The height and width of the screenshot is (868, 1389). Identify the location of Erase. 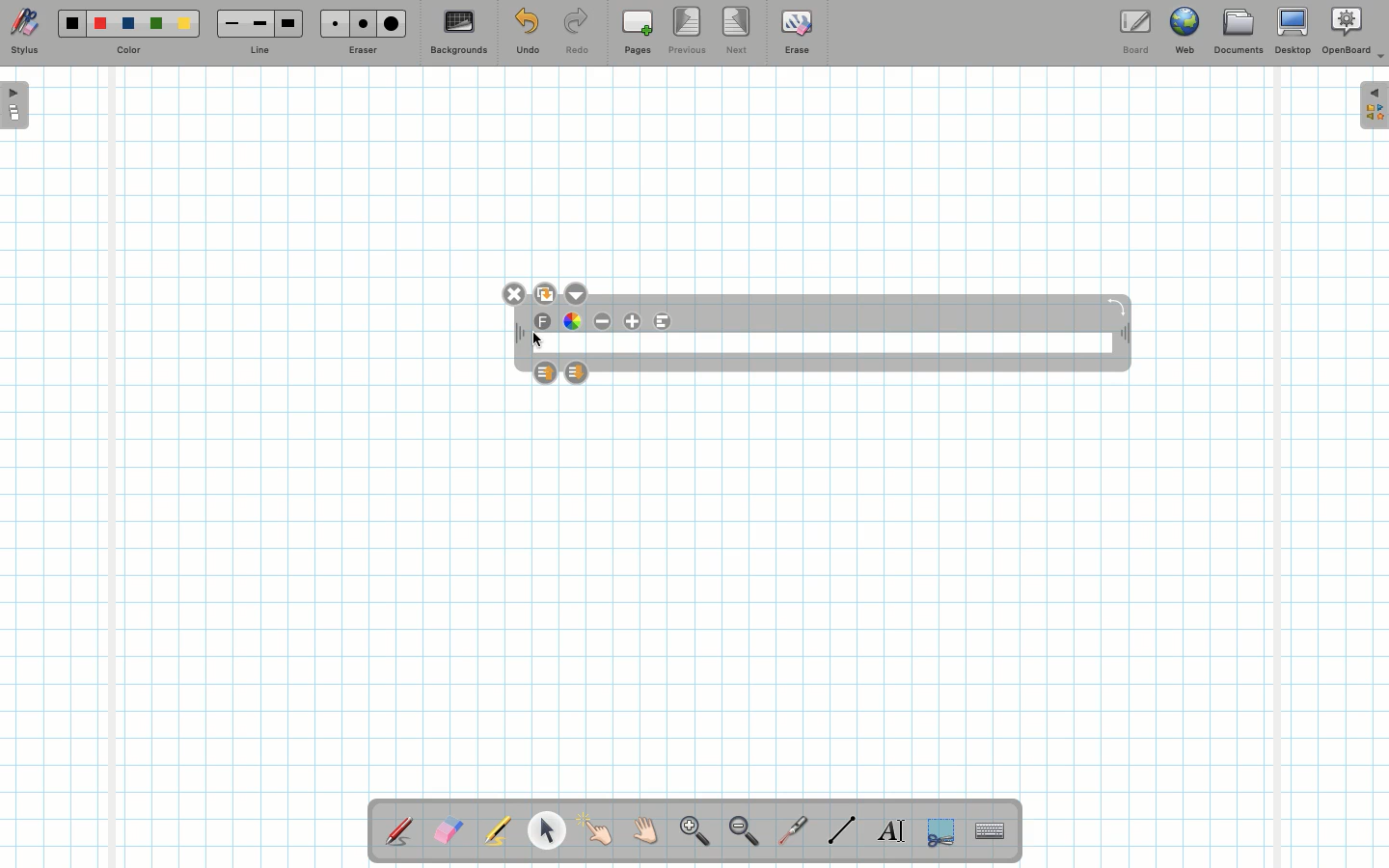
(796, 31).